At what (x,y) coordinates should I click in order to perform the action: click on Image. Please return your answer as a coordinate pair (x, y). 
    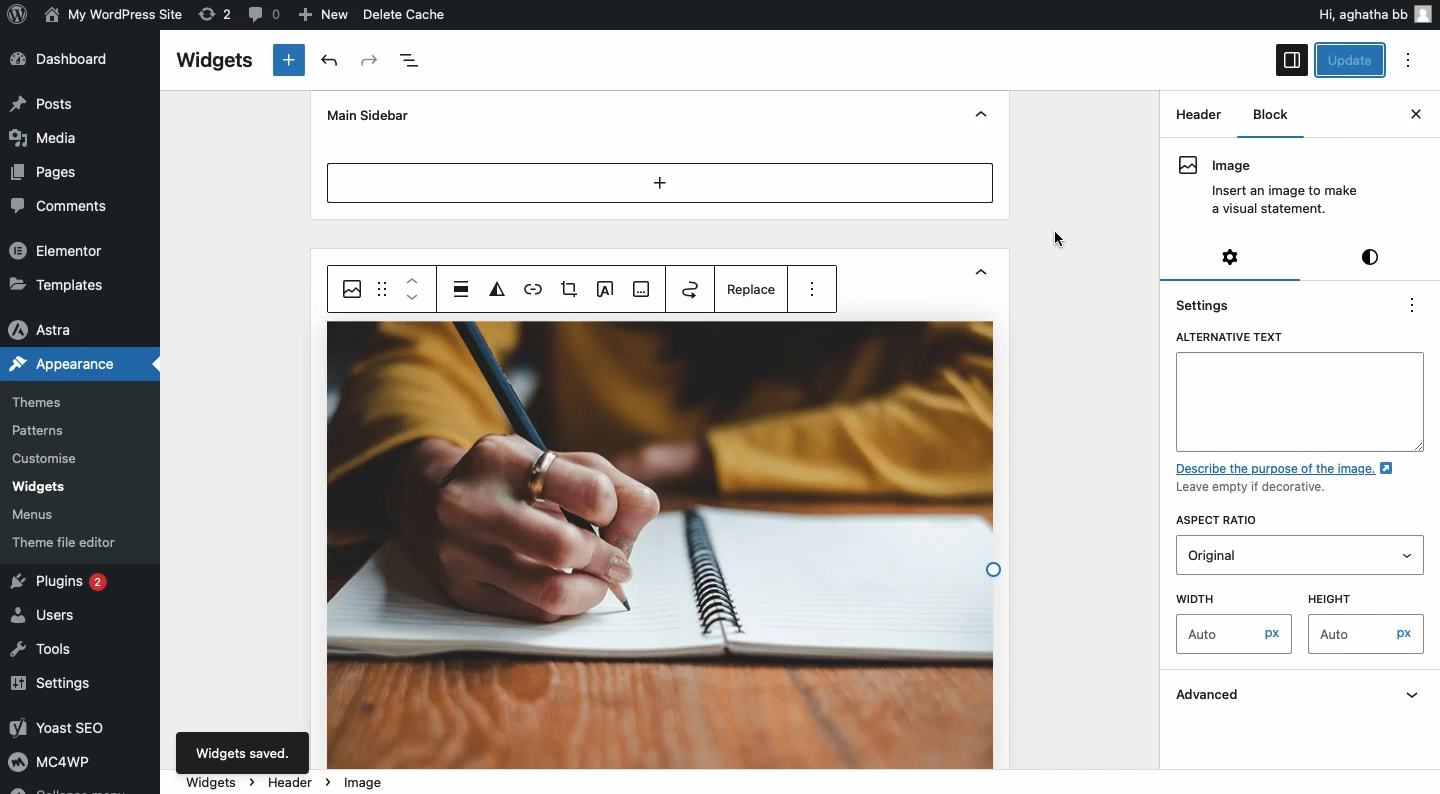
    Looking at the image, I should click on (353, 289).